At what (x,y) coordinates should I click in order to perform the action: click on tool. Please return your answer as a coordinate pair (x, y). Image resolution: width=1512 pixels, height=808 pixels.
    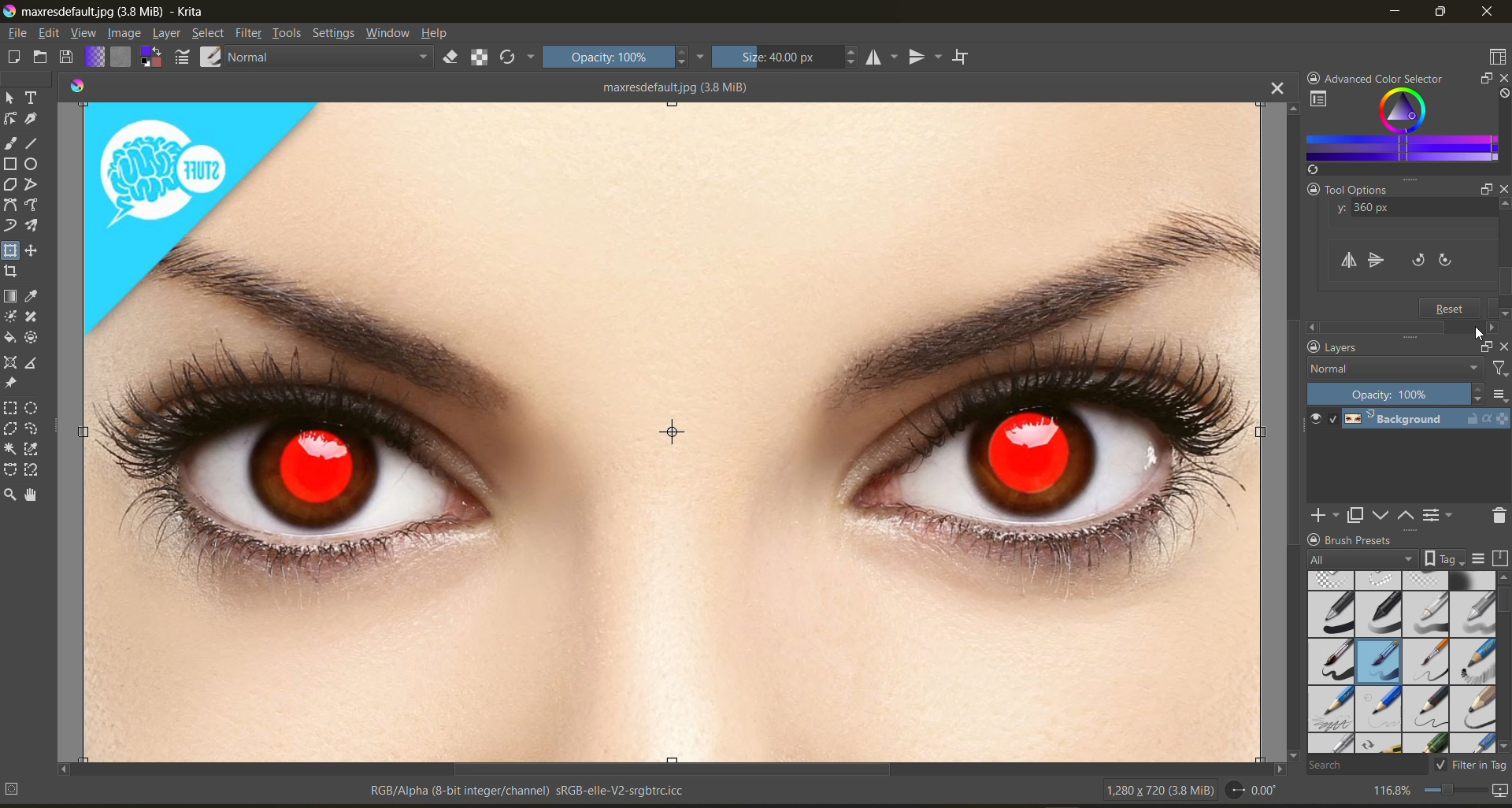
    Looking at the image, I should click on (11, 409).